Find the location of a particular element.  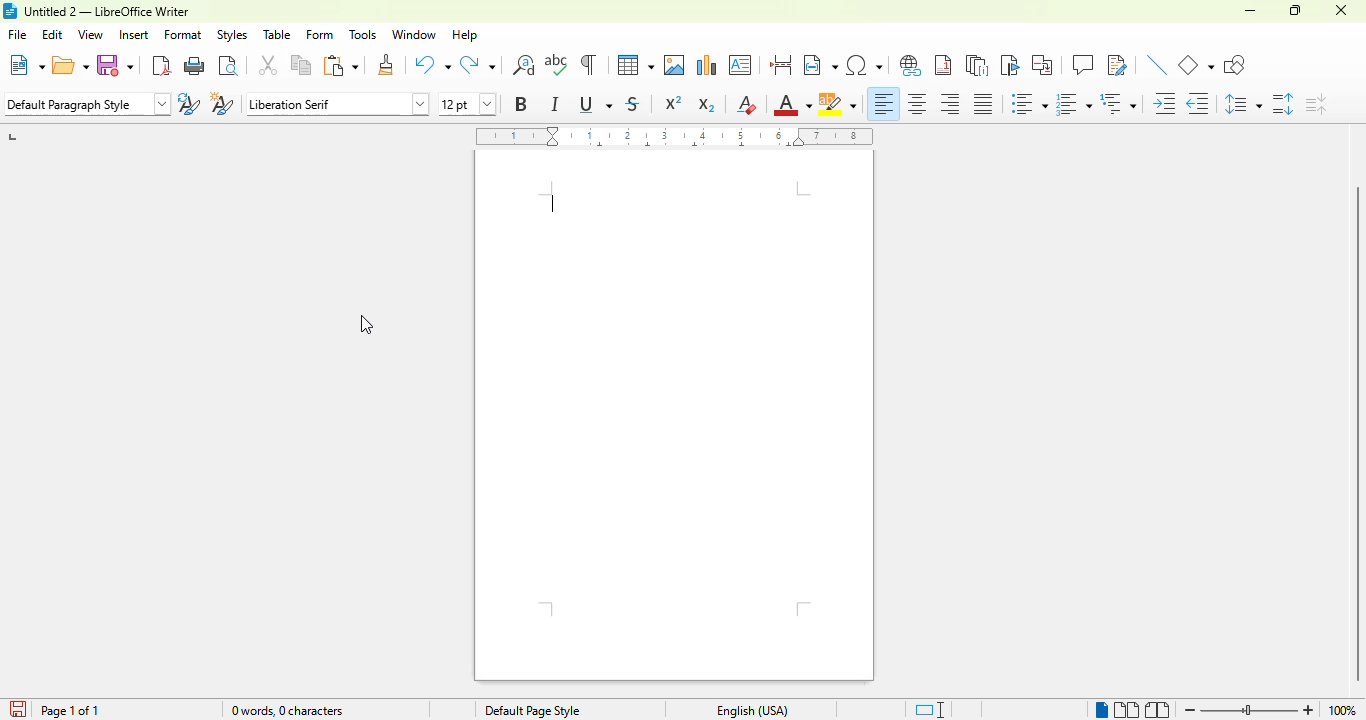

align center is located at coordinates (918, 104).